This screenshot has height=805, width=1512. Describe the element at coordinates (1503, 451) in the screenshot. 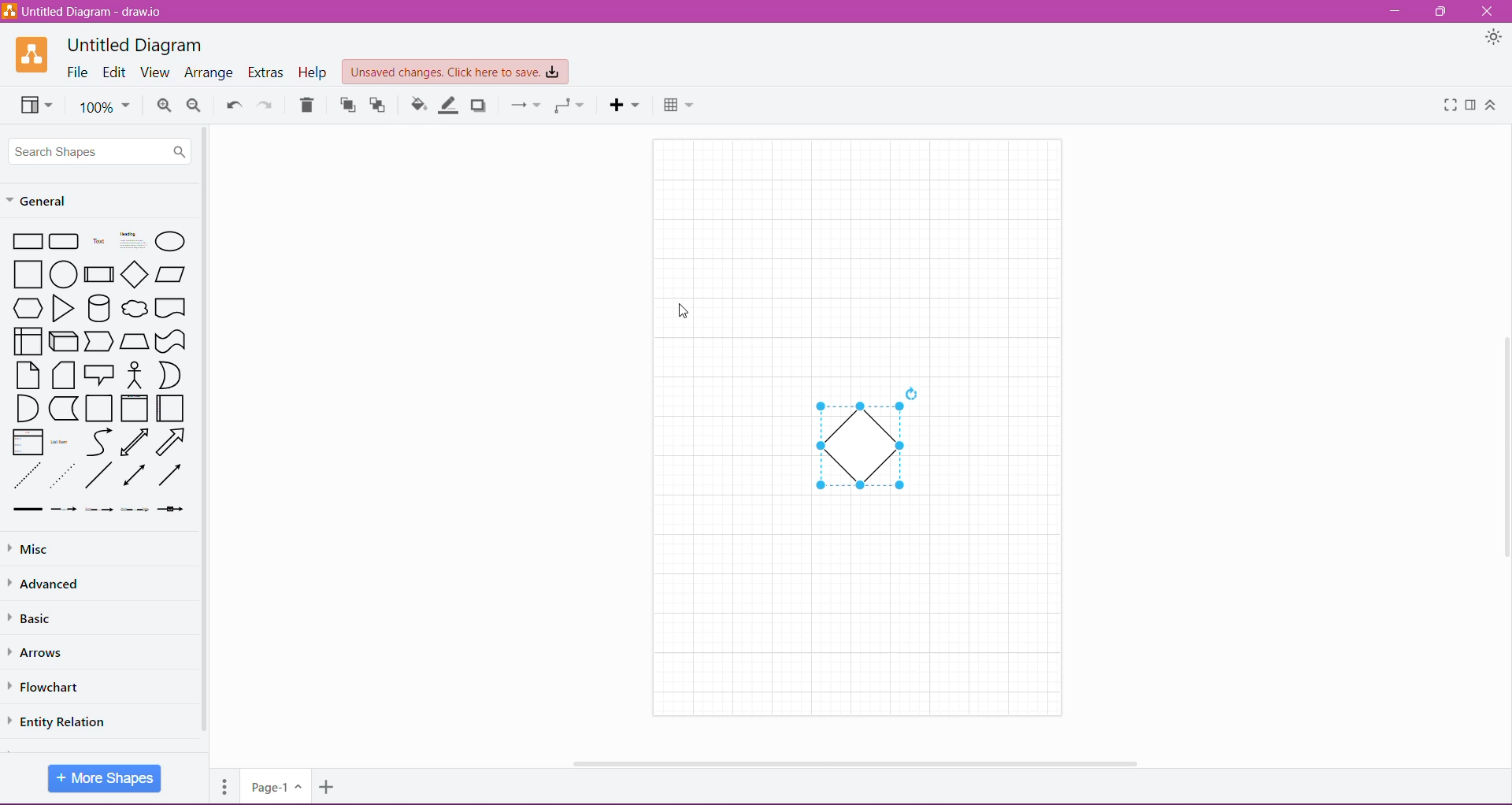

I see `Vertical Scroll Bar` at that location.